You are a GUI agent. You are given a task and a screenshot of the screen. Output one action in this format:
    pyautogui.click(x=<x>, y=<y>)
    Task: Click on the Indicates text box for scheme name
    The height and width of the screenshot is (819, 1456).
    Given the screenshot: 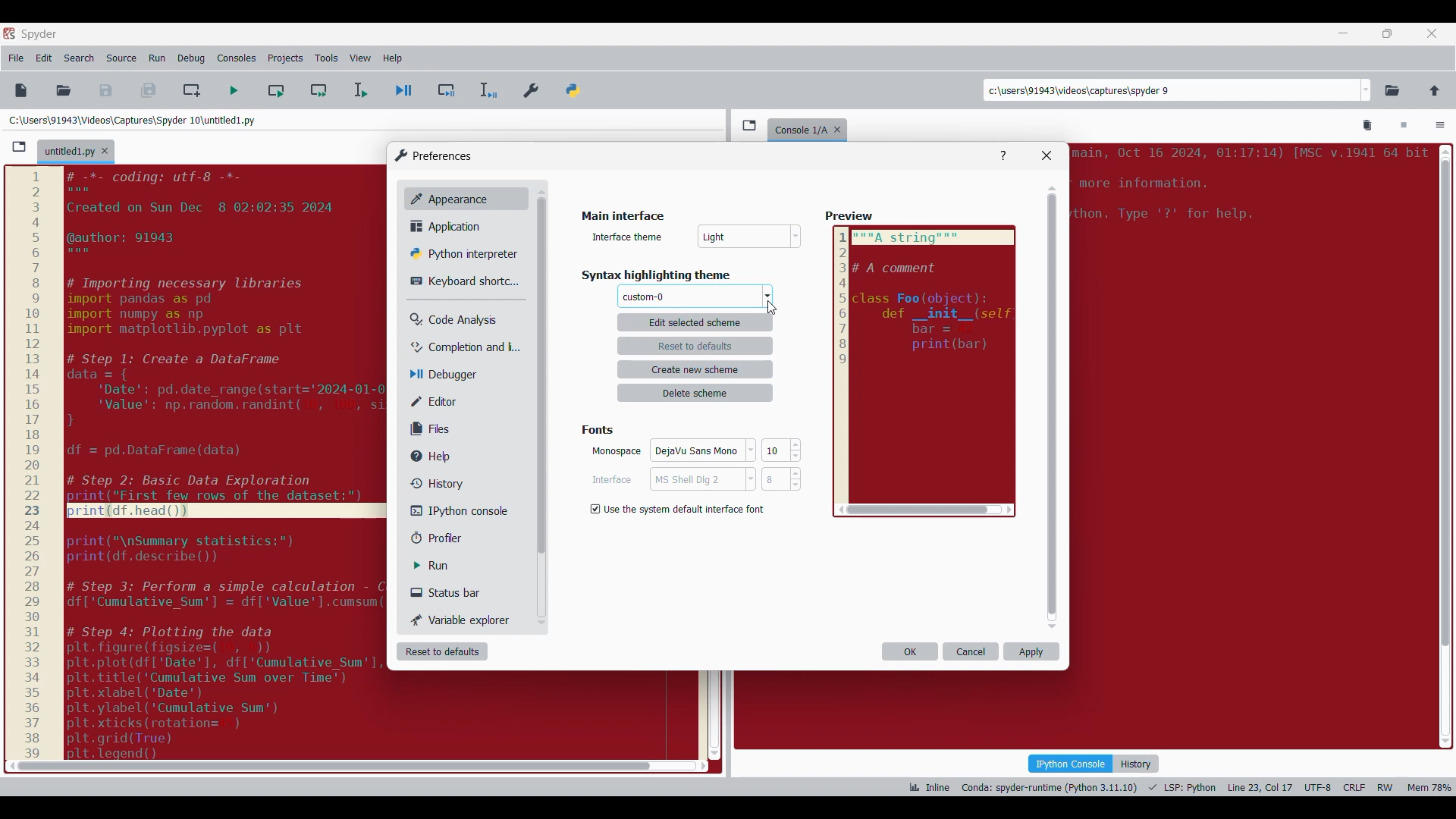 What is the action you would take?
    pyautogui.click(x=629, y=236)
    